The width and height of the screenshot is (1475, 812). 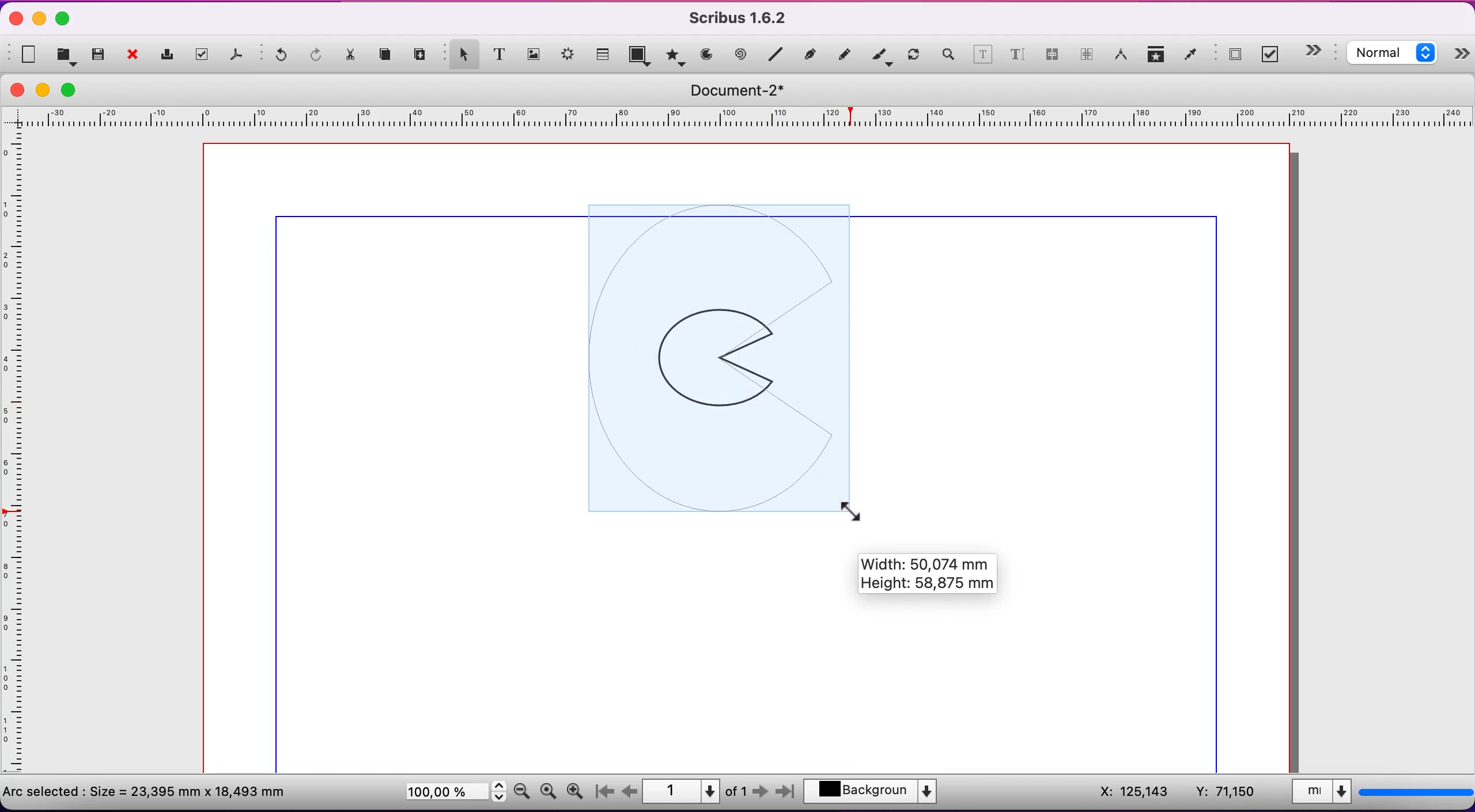 What do you see at coordinates (63, 20) in the screenshot?
I see `maximize` at bounding box center [63, 20].